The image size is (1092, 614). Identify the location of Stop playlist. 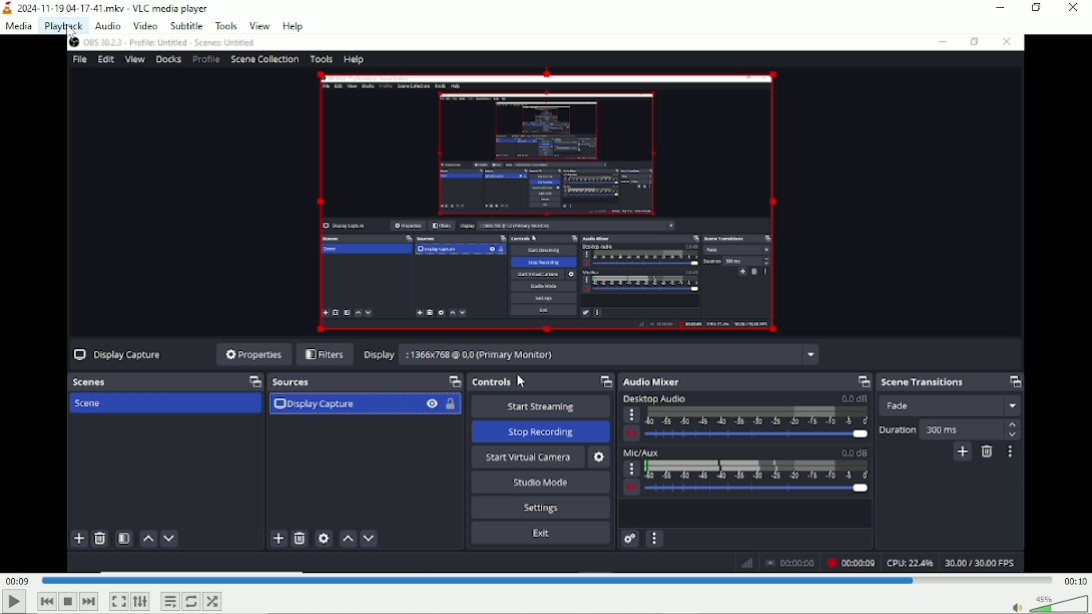
(68, 602).